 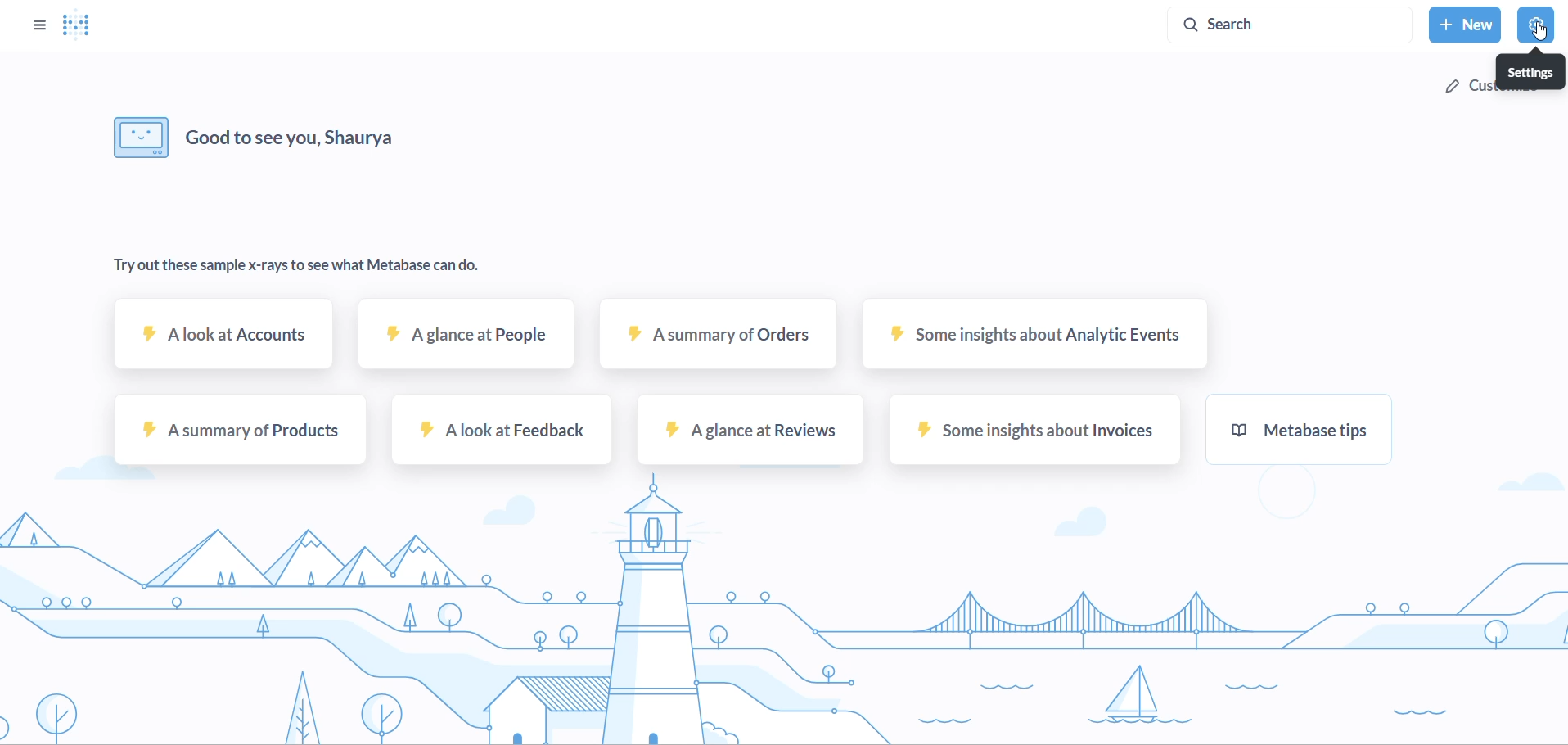 What do you see at coordinates (746, 436) in the screenshot?
I see `A glance at reviews` at bounding box center [746, 436].